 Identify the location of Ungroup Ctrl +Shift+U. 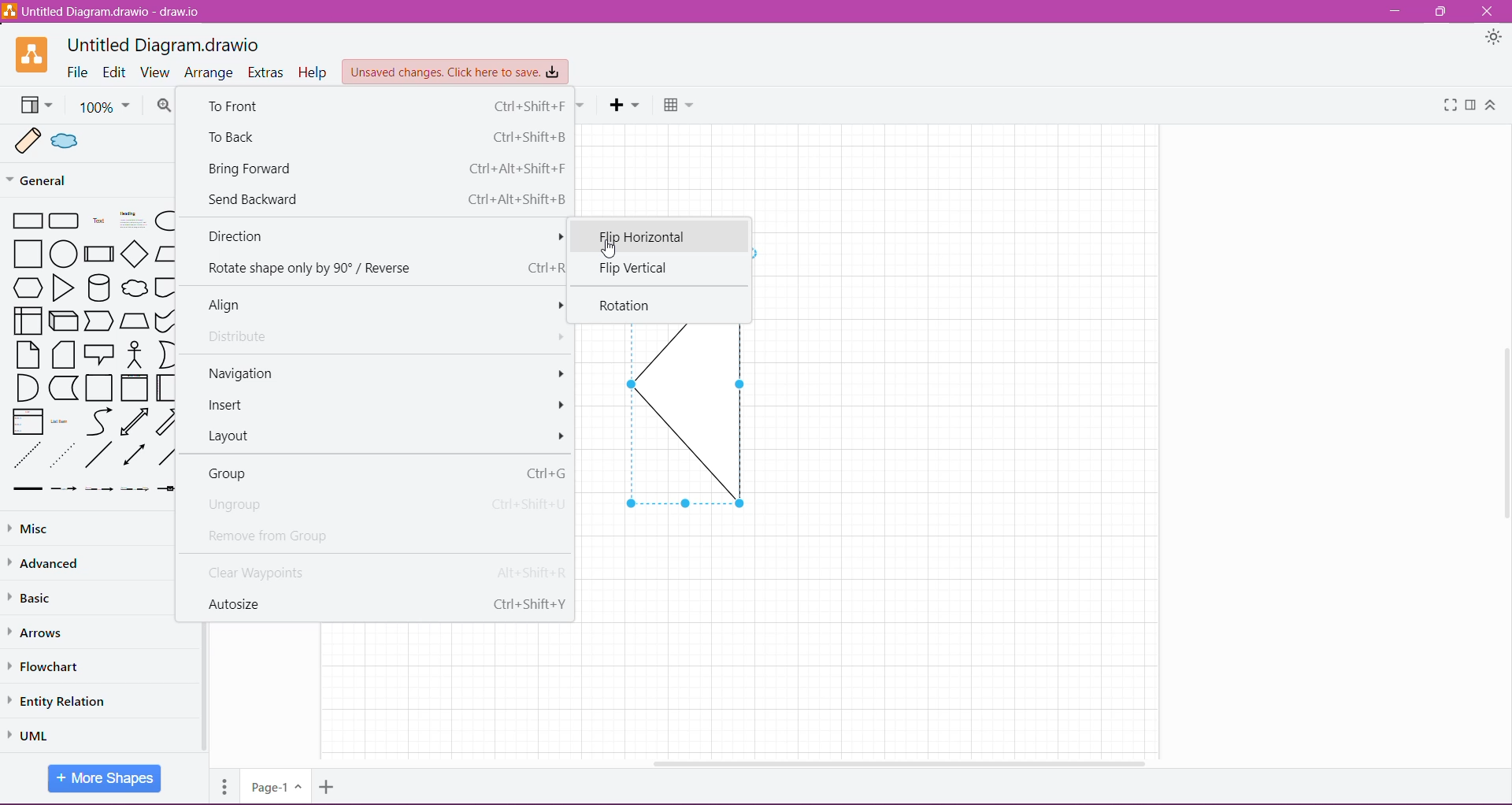
(387, 506).